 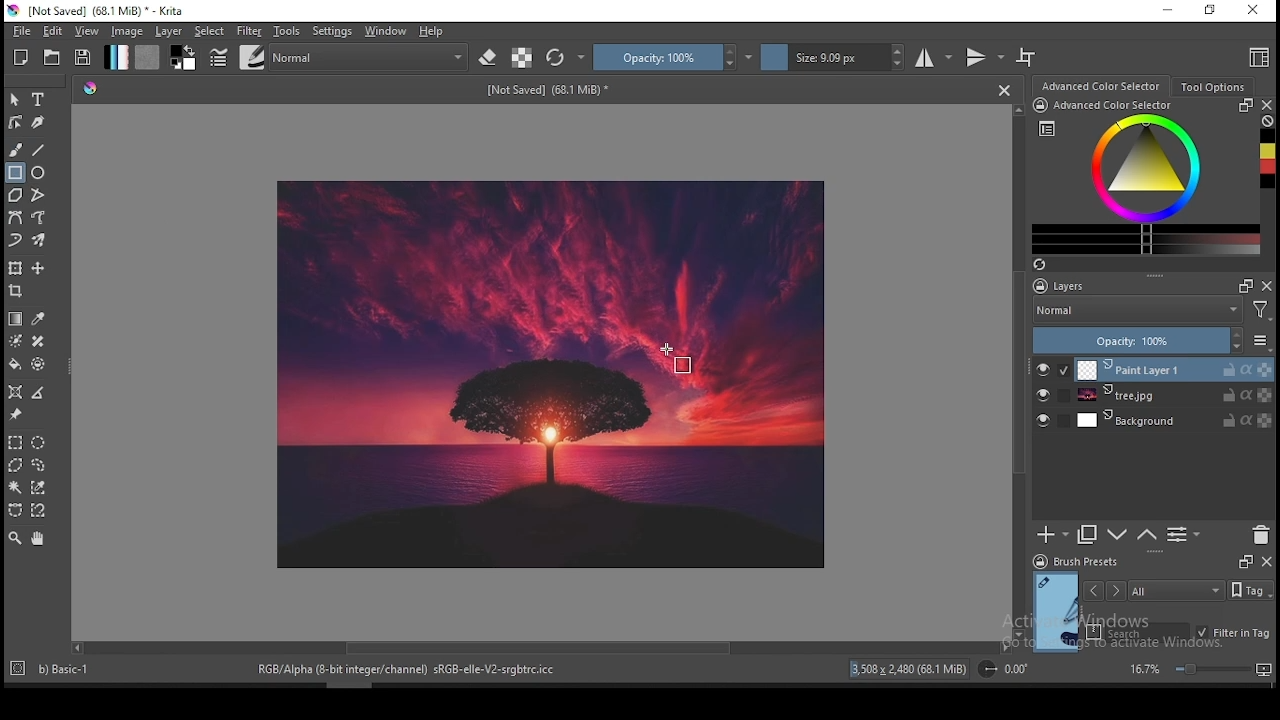 I want to click on brush tool, so click(x=16, y=150).